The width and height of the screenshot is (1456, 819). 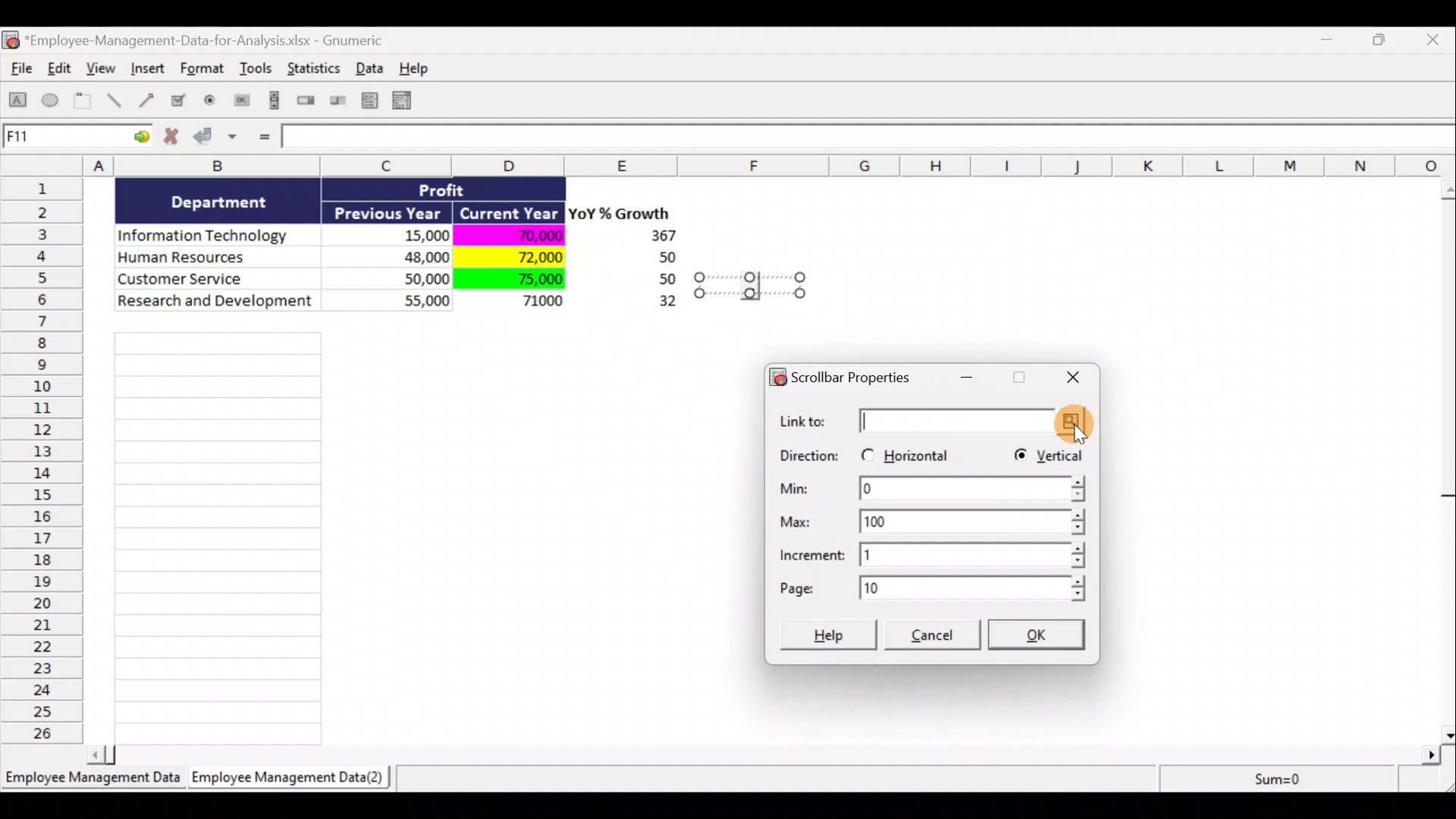 What do you see at coordinates (117, 101) in the screenshot?
I see `Create a line object` at bounding box center [117, 101].